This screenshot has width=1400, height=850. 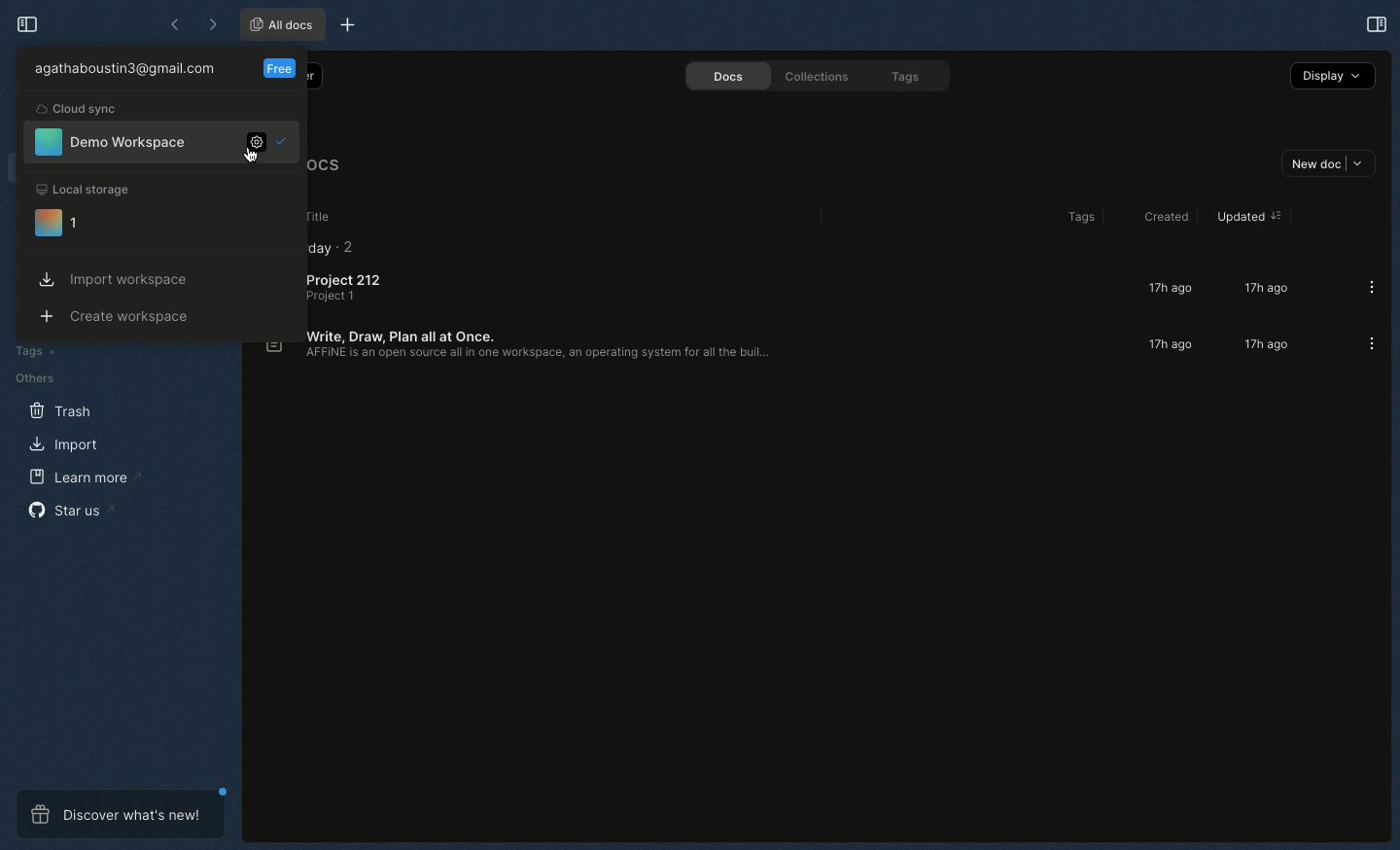 What do you see at coordinates (721, 77) in the screenshot?
I see `Docs` at bounding box center [721, 77].